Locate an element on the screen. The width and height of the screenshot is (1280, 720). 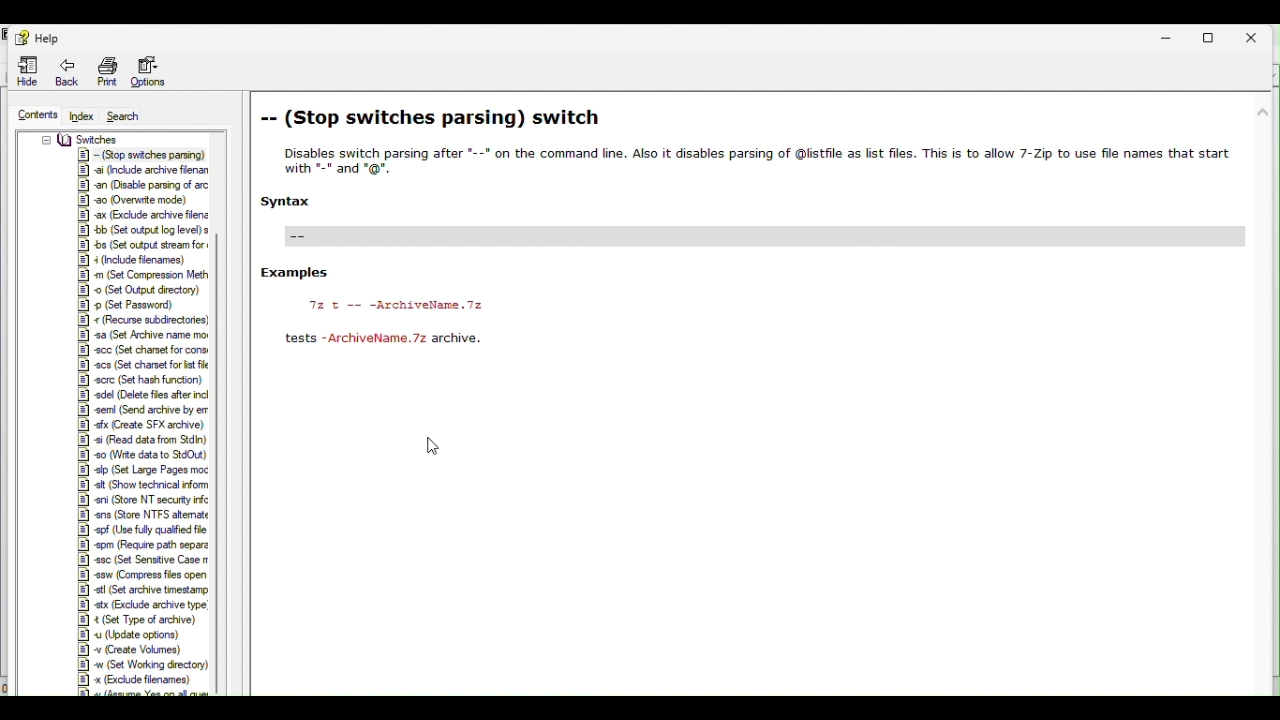
 is located at coordinates (144, 394).